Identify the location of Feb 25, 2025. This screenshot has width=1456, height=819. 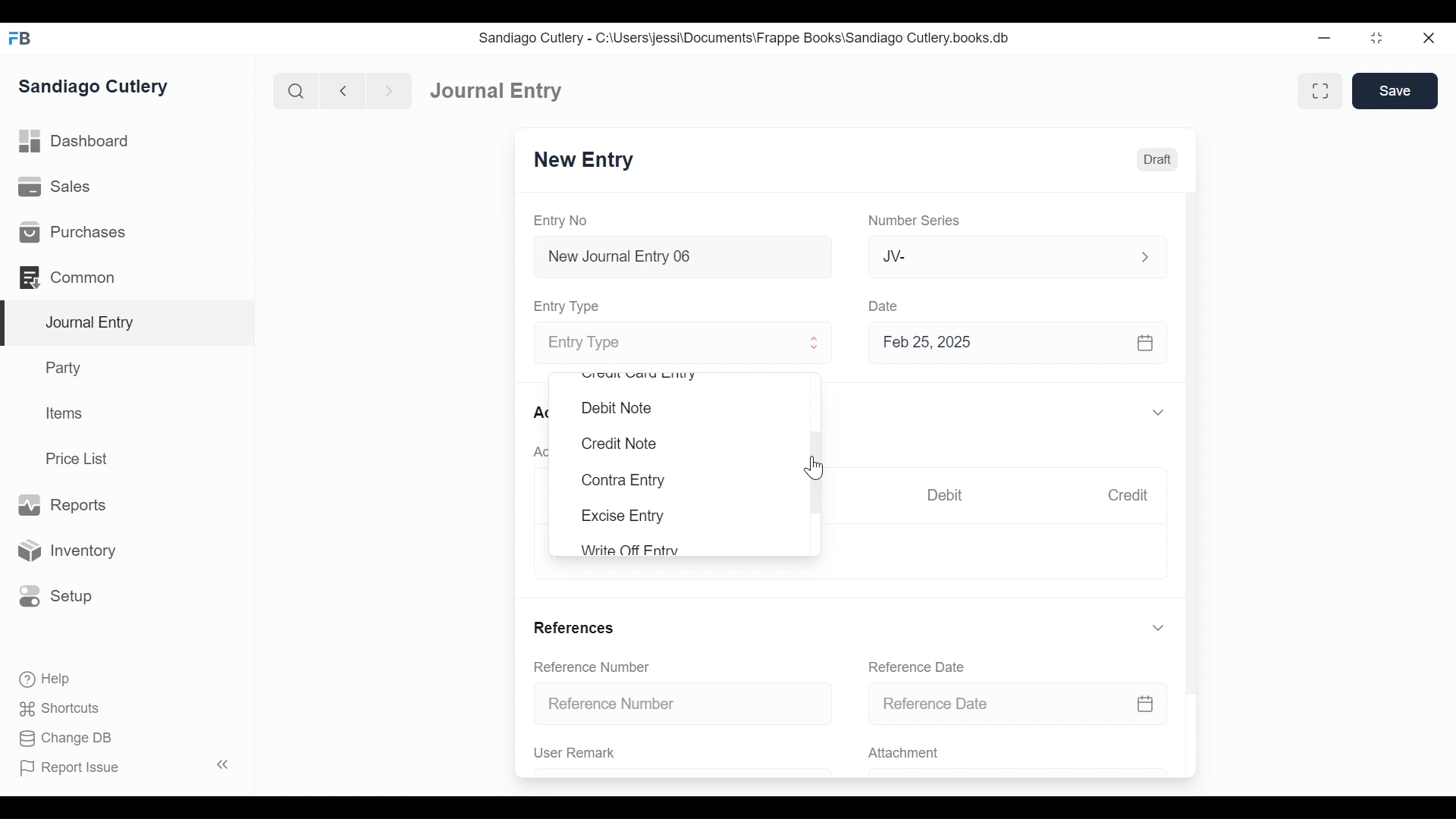
(1011, 342).